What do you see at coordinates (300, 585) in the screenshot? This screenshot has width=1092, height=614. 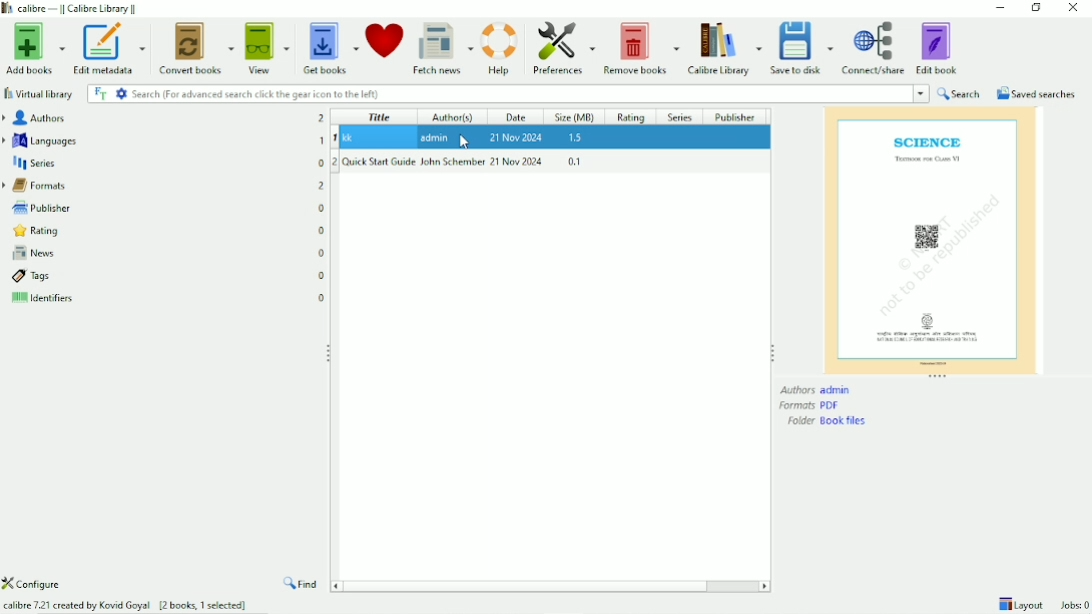 I see `Find` at bounding box center [300, 585].